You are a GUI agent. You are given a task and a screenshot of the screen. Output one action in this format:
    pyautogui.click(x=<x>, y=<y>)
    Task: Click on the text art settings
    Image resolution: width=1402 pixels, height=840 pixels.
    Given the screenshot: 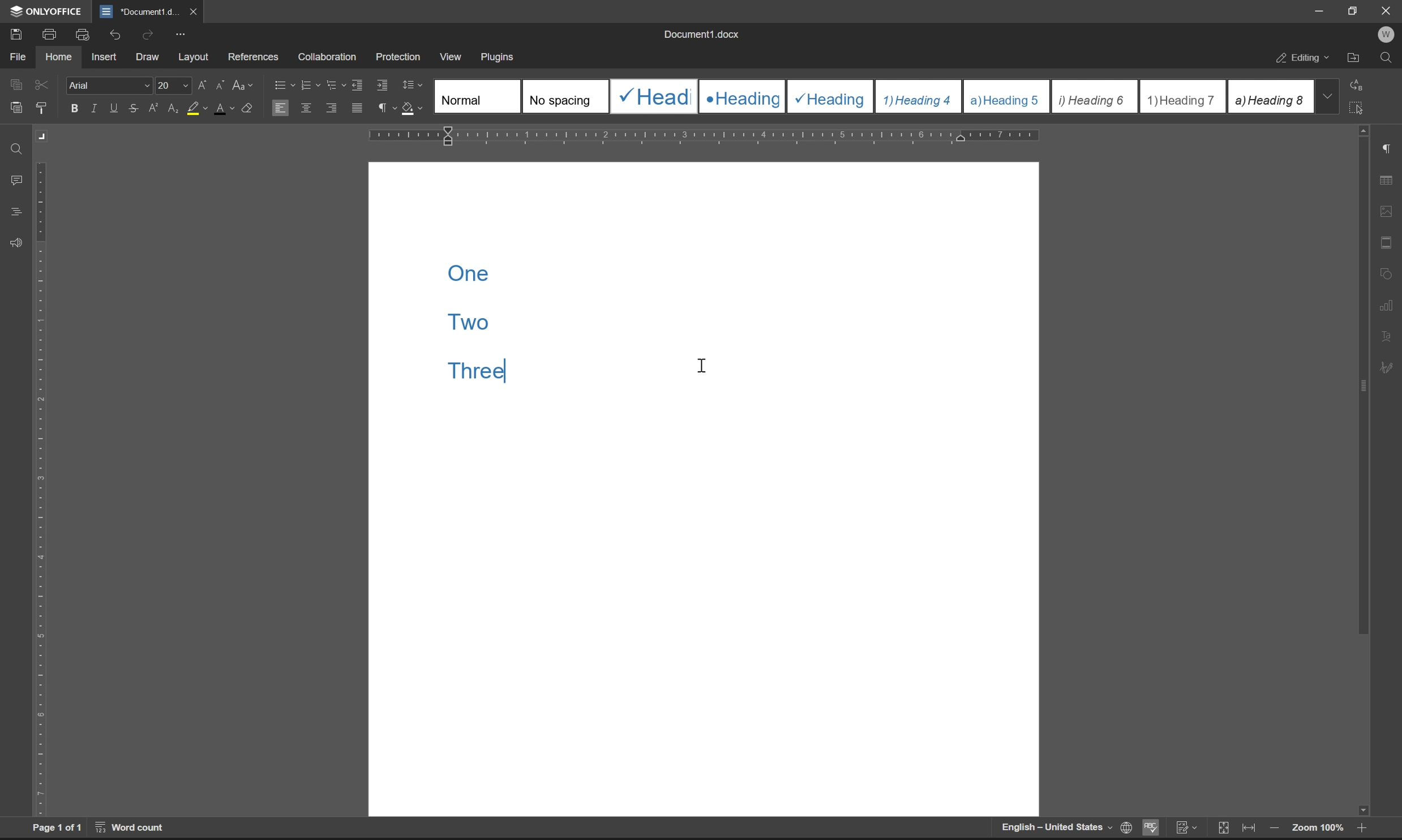 What is the action you would take?
    pyautogui.click(x=1386, y=336)
    